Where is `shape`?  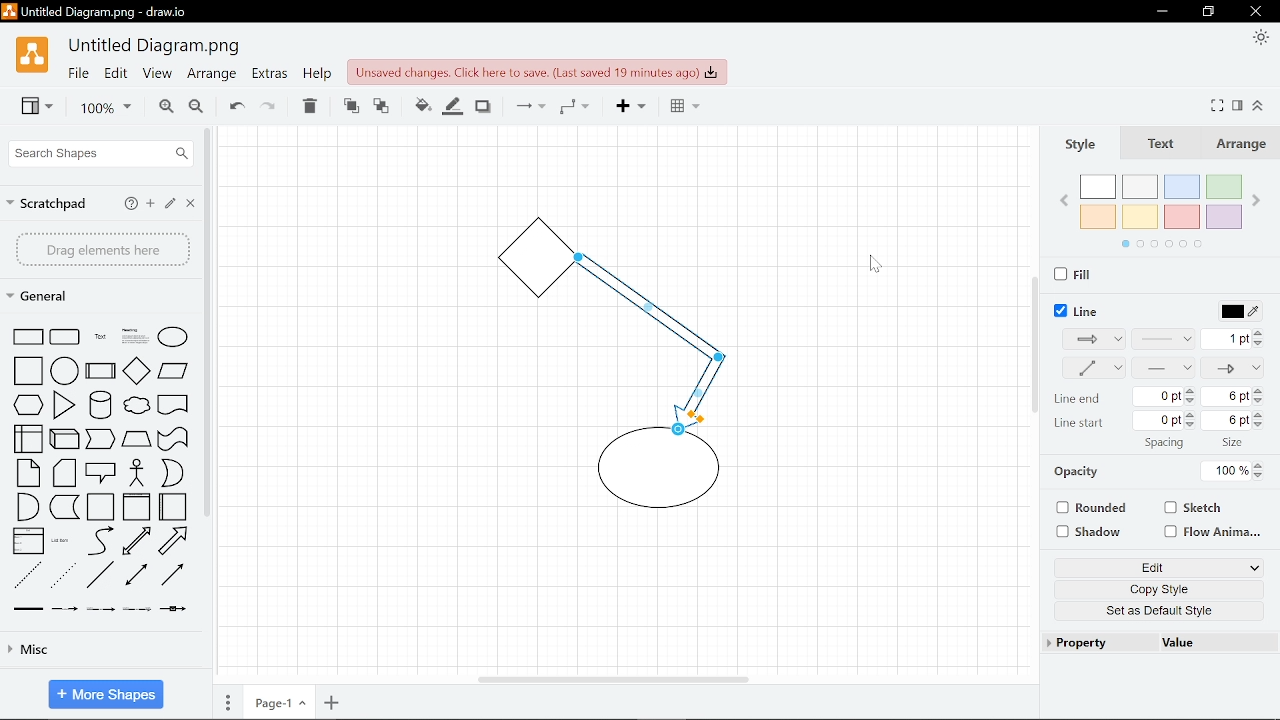
shape is located at coordinates (176, 577).